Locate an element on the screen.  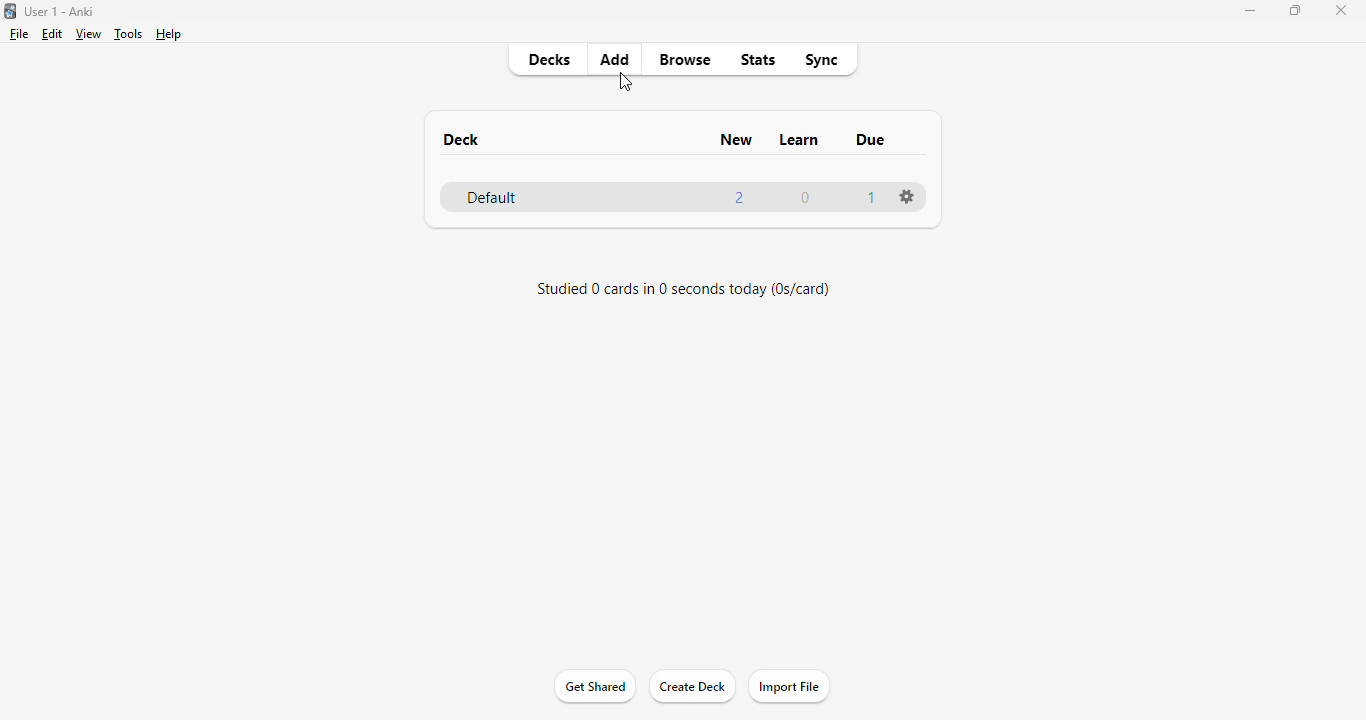
maximize is located at coordinates (1295, 10).